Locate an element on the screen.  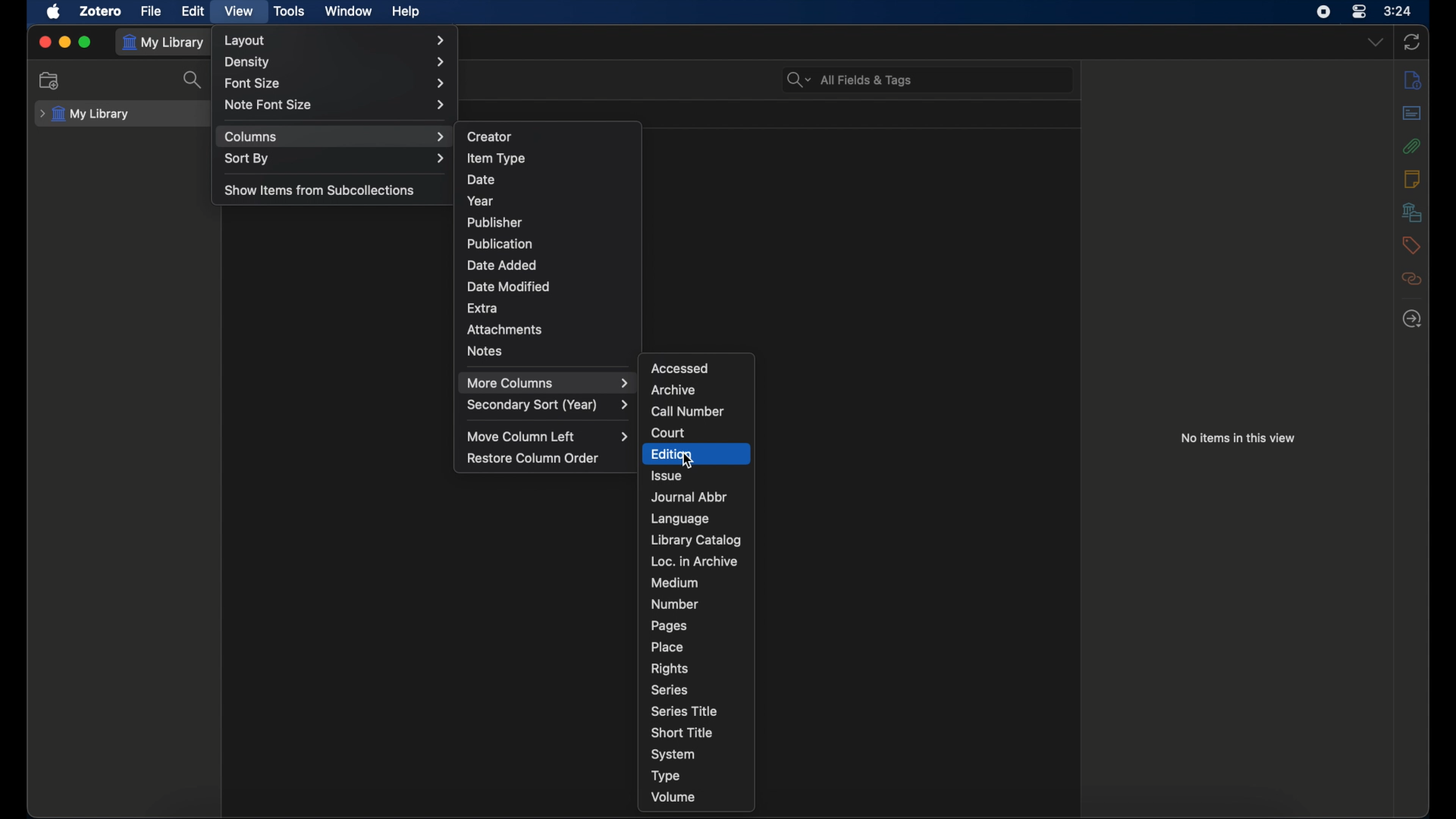
abstract is located at coordinates (1412, 112).